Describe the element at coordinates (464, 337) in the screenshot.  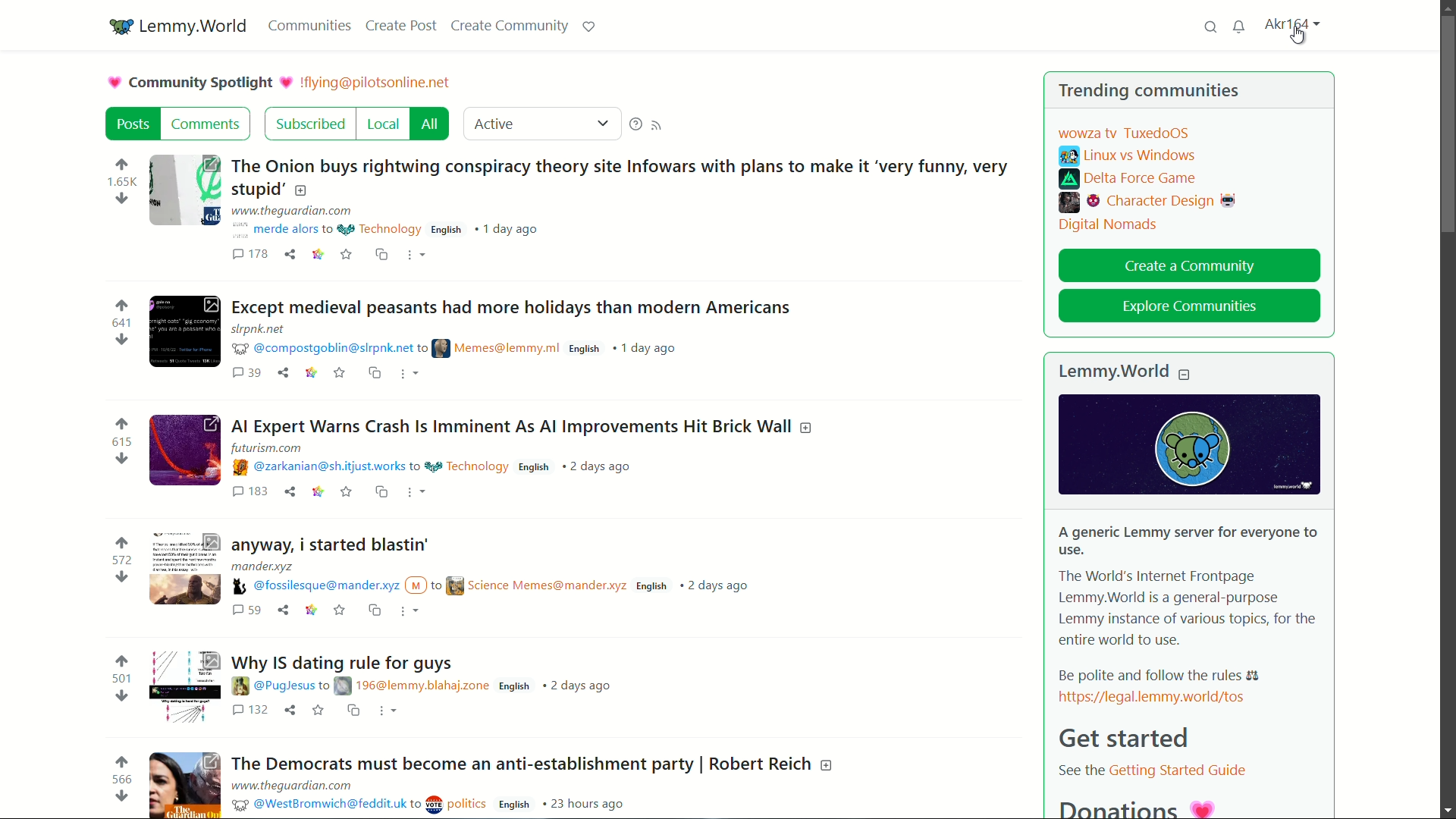
I see `post details` at that location.